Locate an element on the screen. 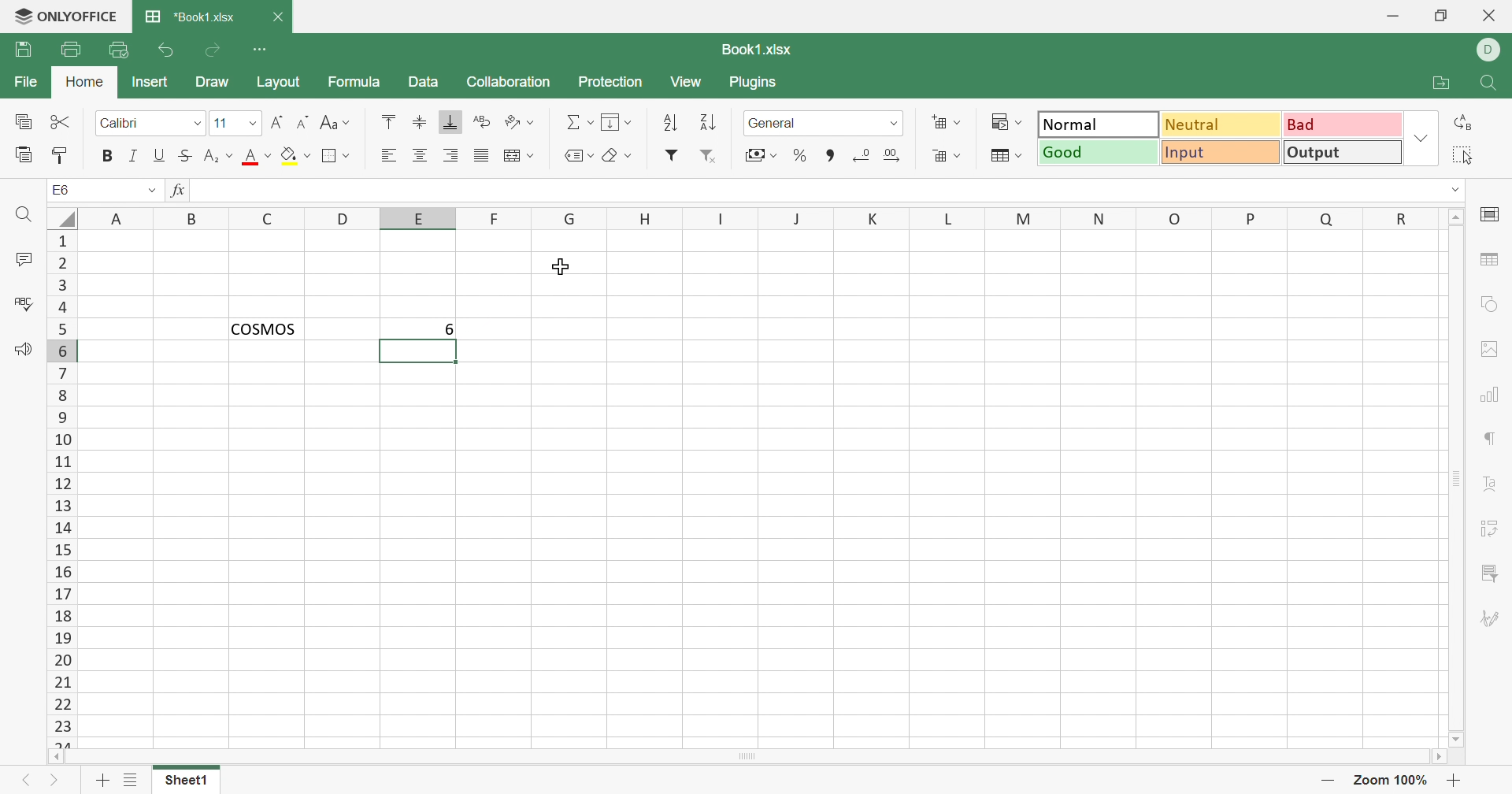  Data is located at coordinates (425, 82).